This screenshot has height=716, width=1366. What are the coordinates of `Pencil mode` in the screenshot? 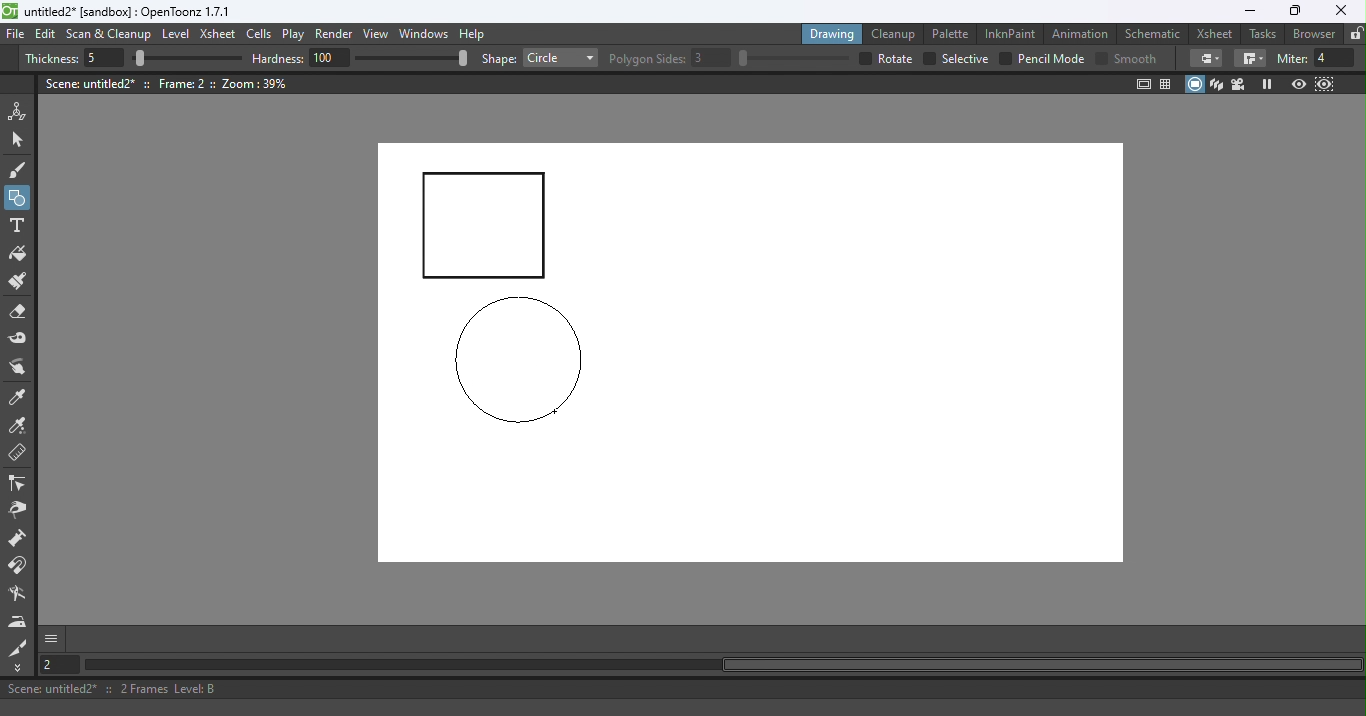 It's located at (1050, 59).